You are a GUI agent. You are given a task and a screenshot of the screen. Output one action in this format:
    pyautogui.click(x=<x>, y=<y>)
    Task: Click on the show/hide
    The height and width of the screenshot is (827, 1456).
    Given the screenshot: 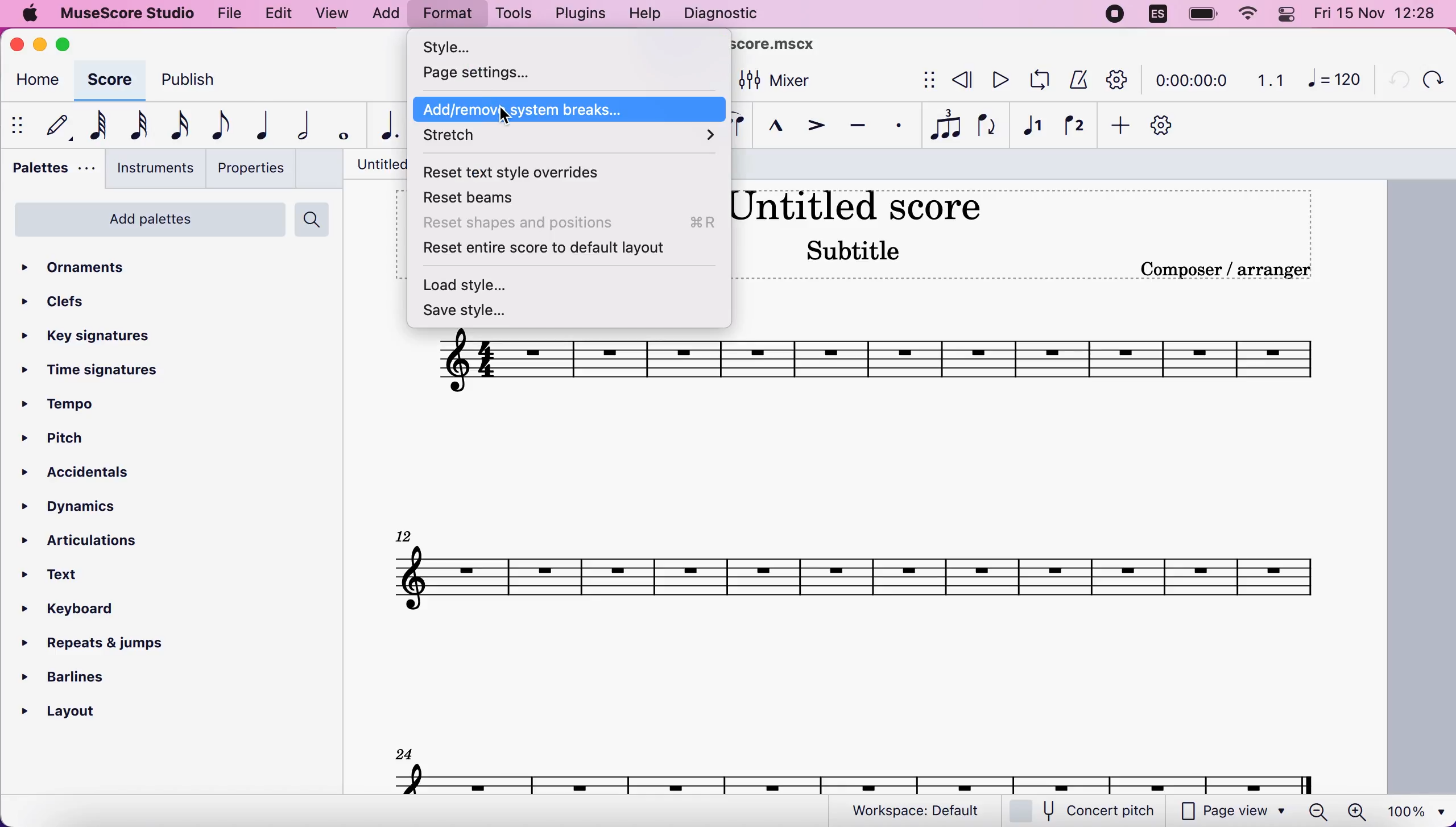 What is the action you would take?
    pyautogui.click(x=926, y=81)
    